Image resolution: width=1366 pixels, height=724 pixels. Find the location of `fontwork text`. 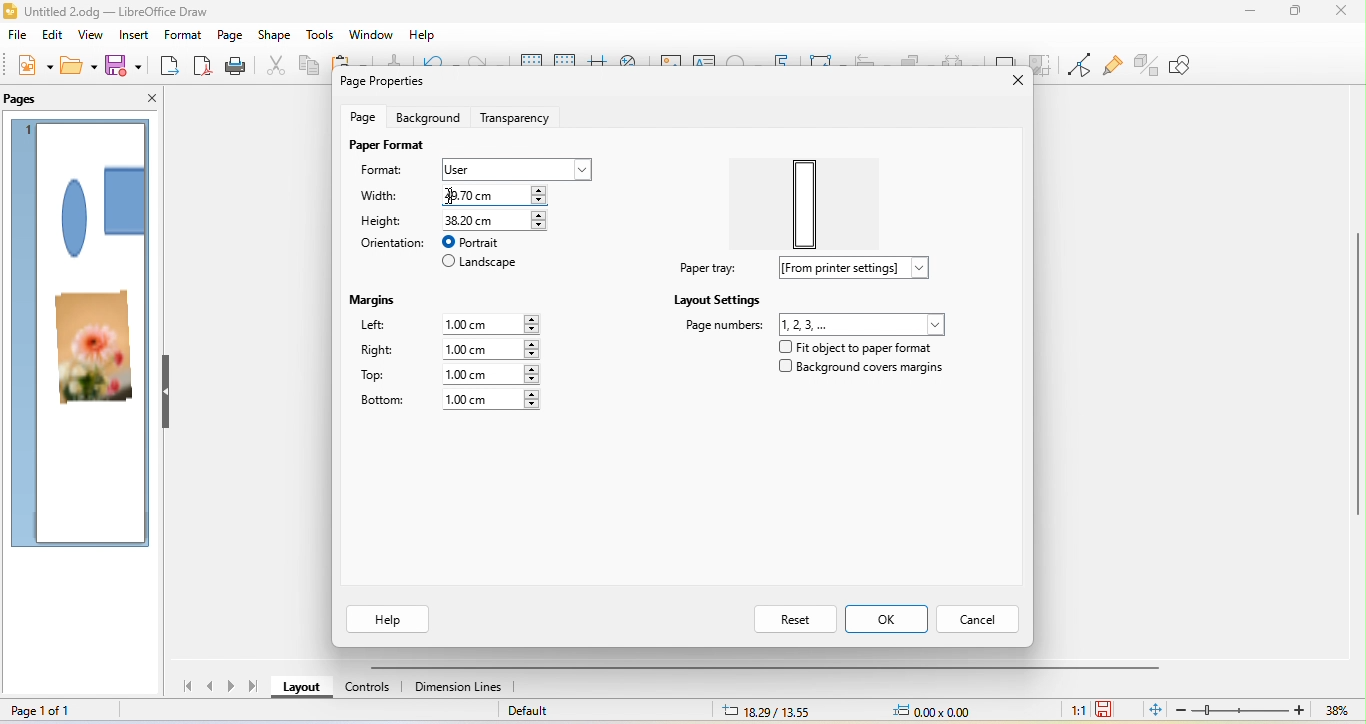

fontwork text is located at coordinates (788, 61).